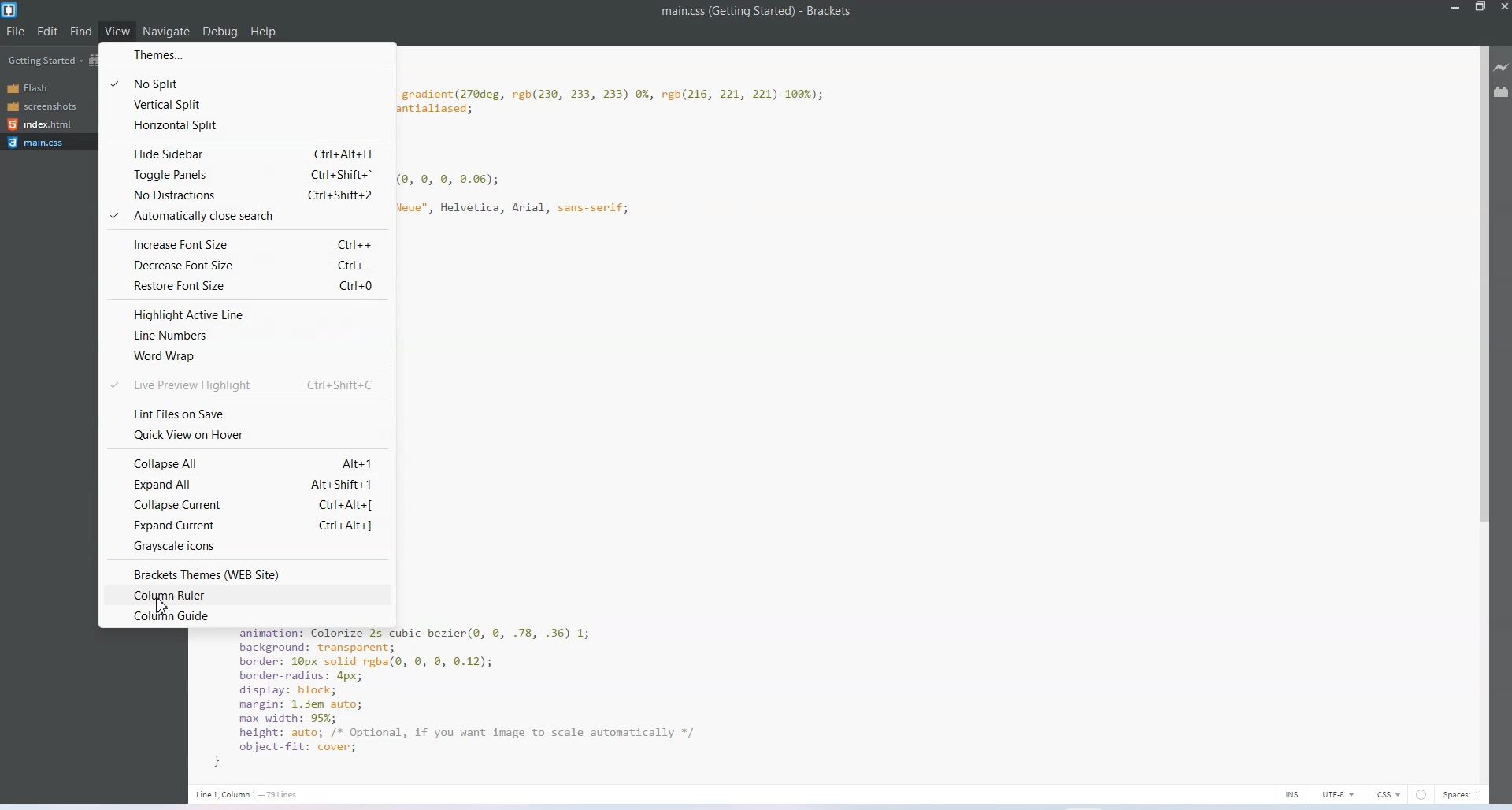 This screenshot has height=810, width=1512. I want to click on main.css (getting started)-brackets, so click(762, 13).